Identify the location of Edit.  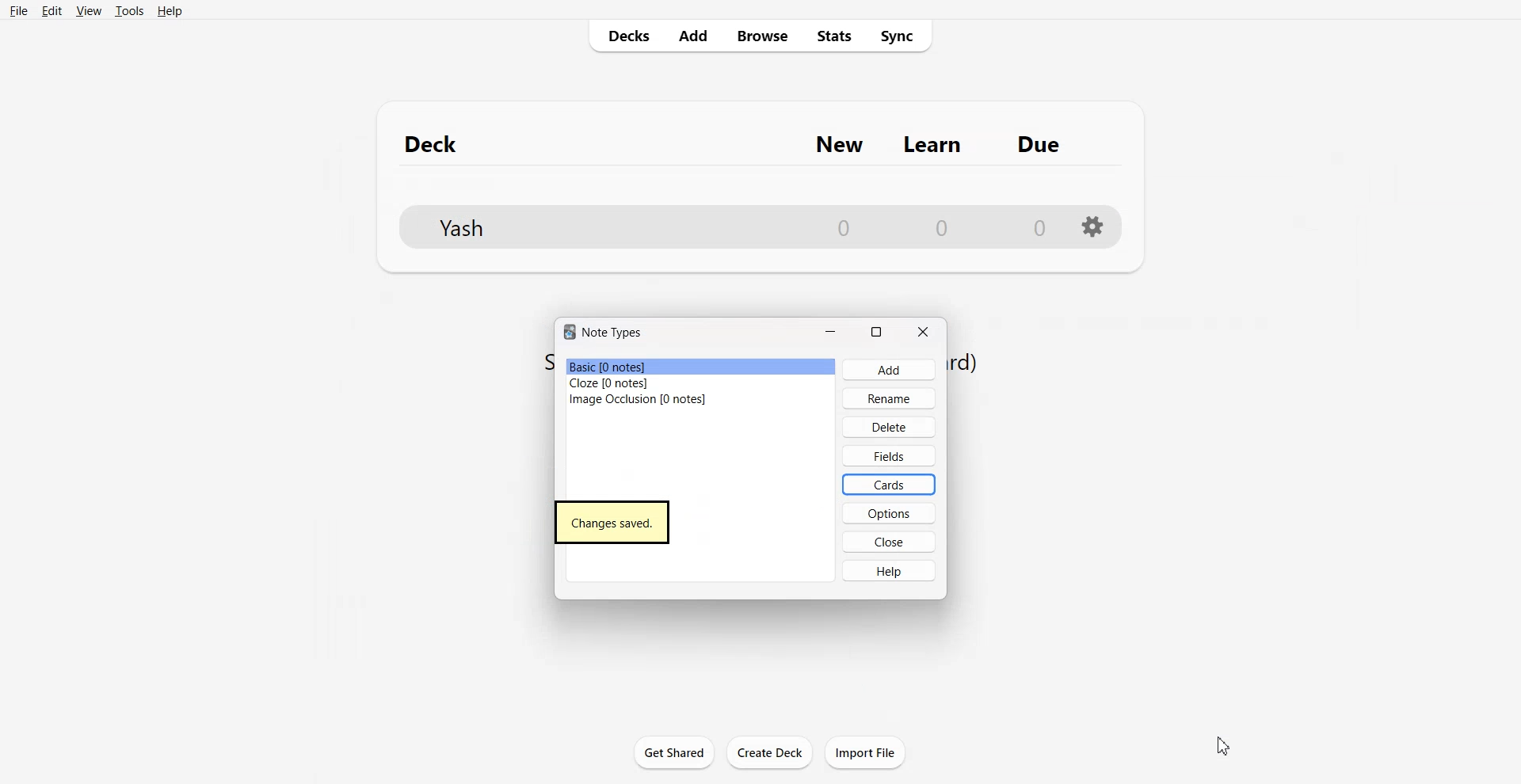
(51, 10).